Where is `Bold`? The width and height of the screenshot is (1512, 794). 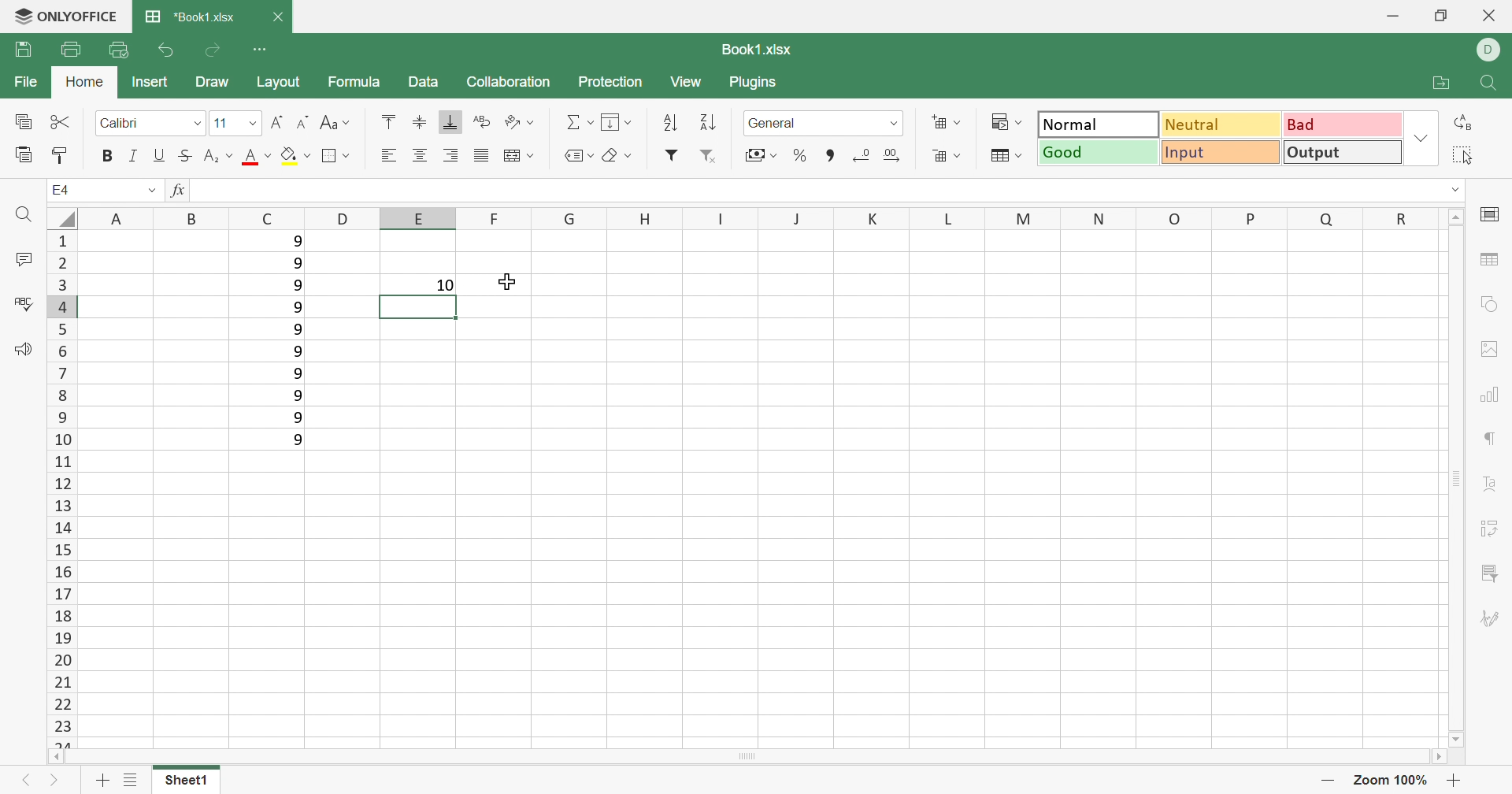
Bold is located at coordinates (108, 156).